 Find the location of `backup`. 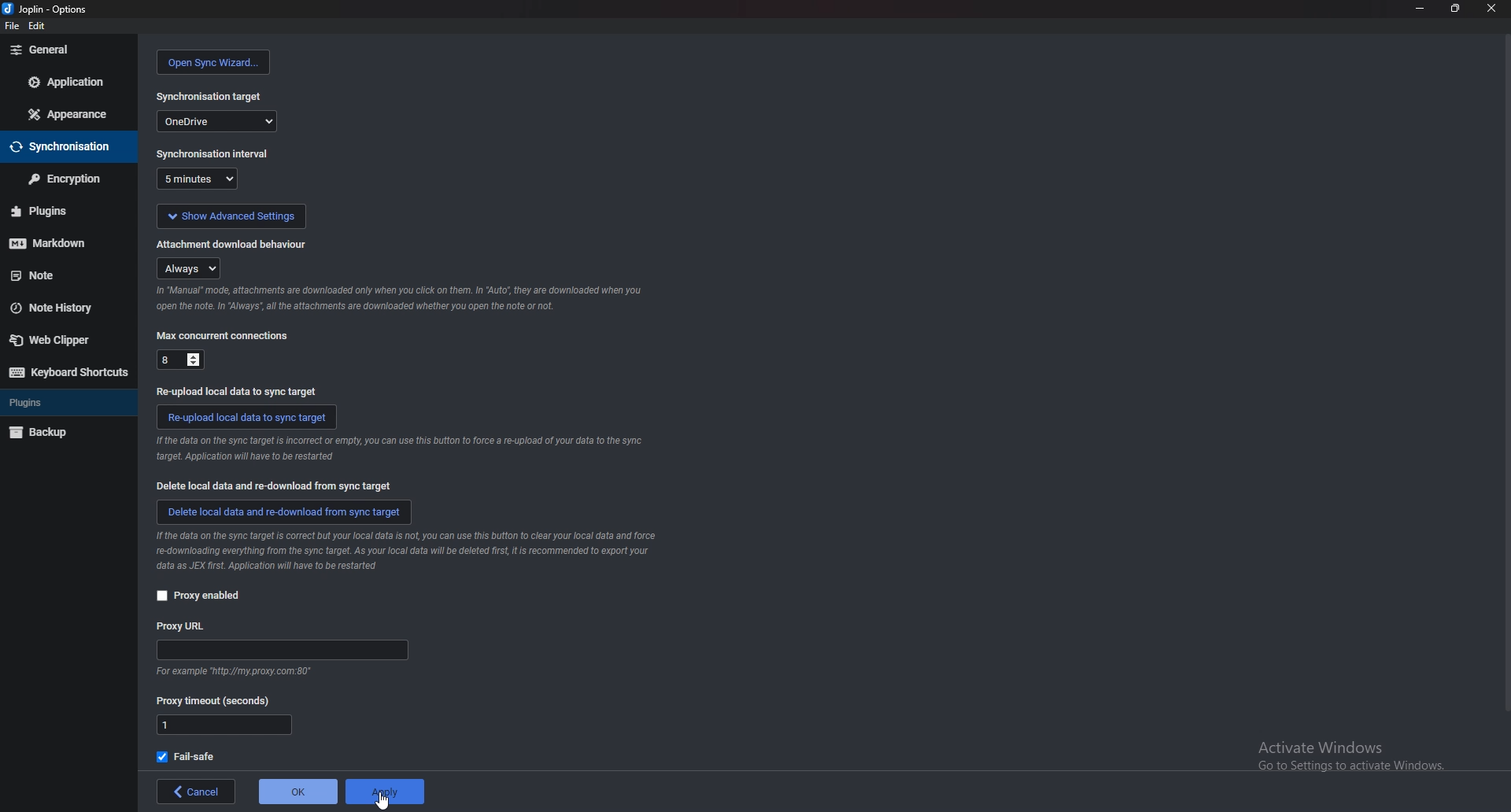

backup is located at coordinates (61, 432).